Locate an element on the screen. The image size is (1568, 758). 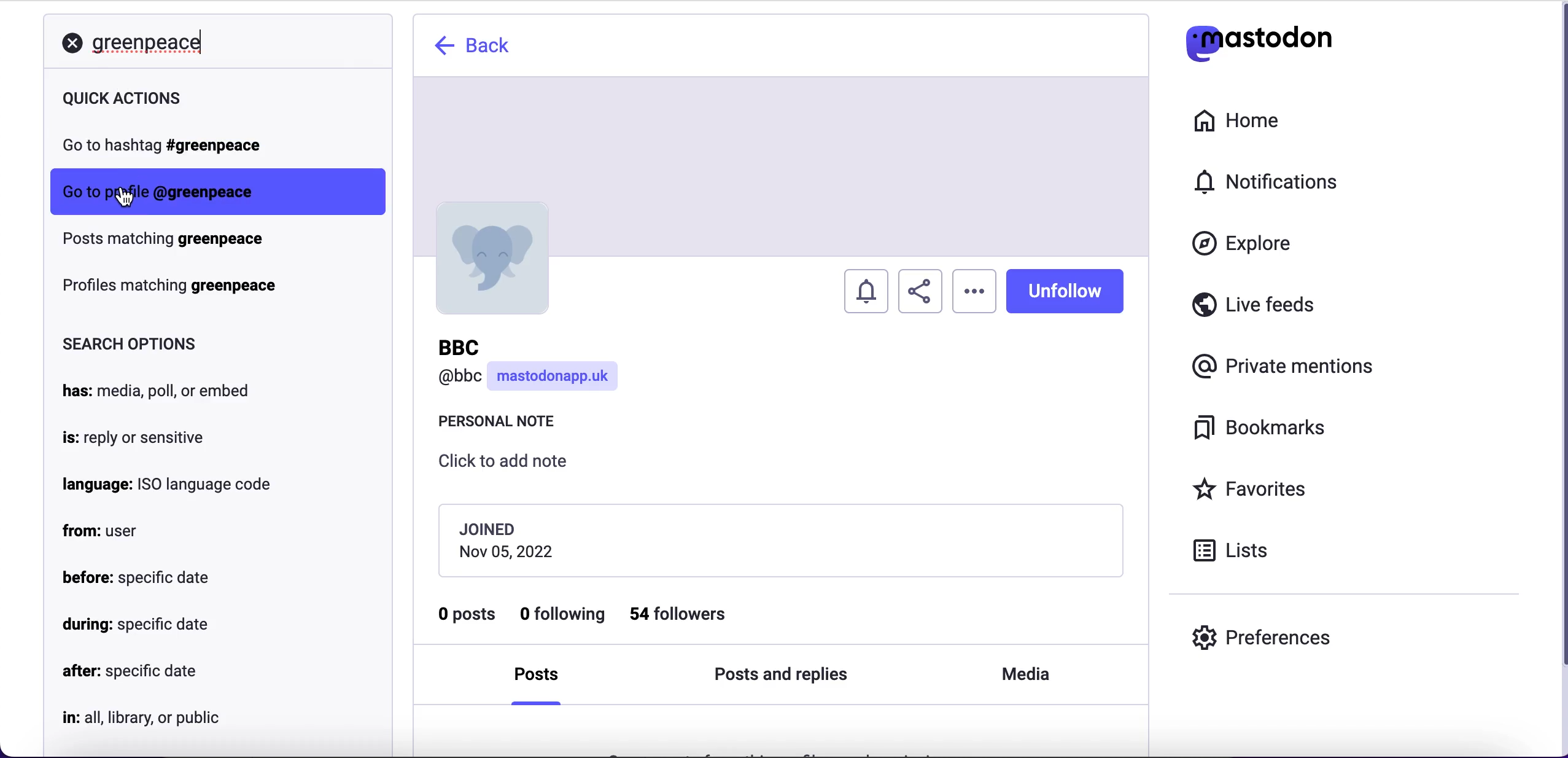
is: reply or sensitive is located at coordinates (130, 435).